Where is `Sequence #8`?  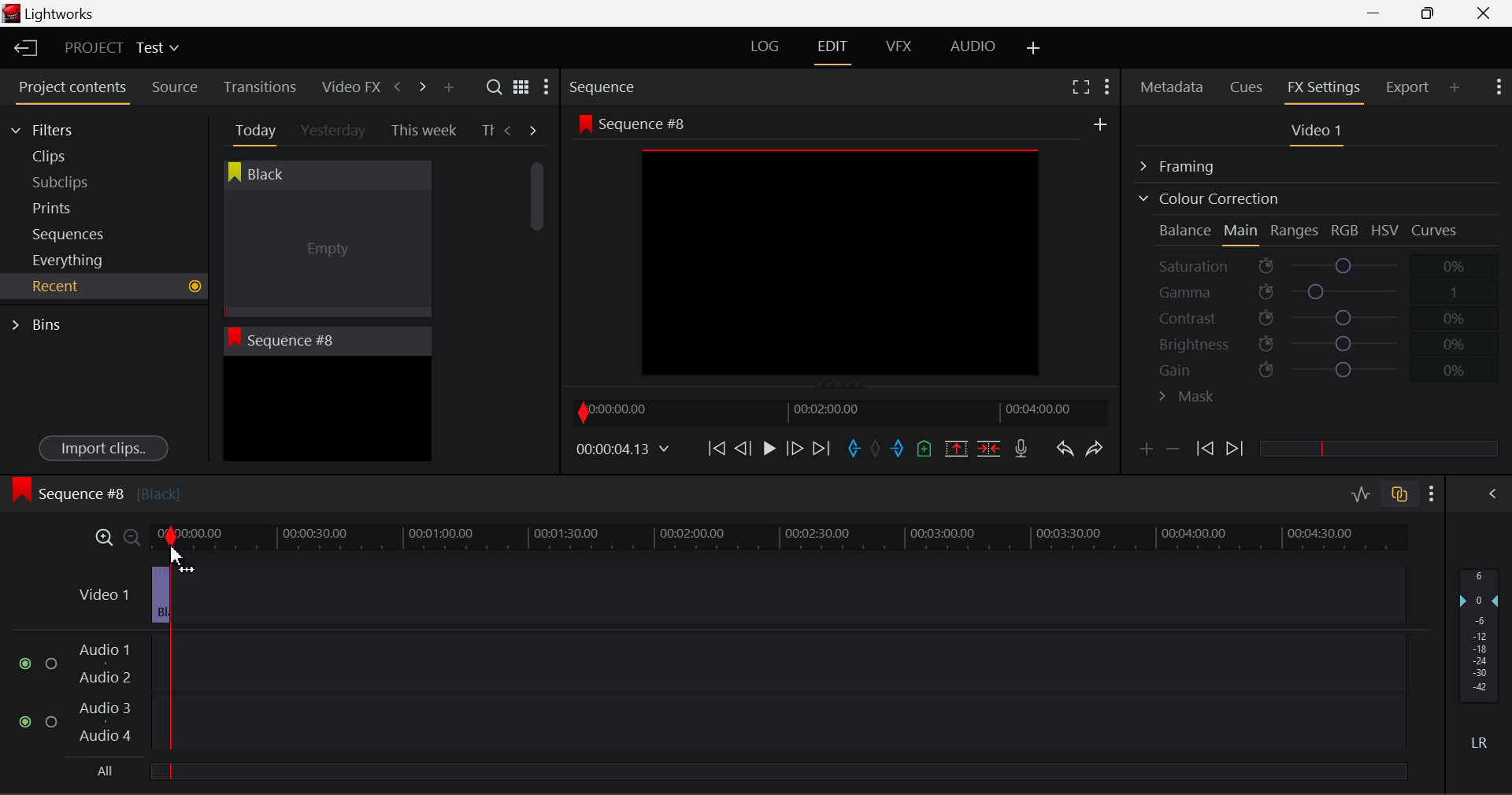
Sequence #8 is located at coordinates (95, 490).